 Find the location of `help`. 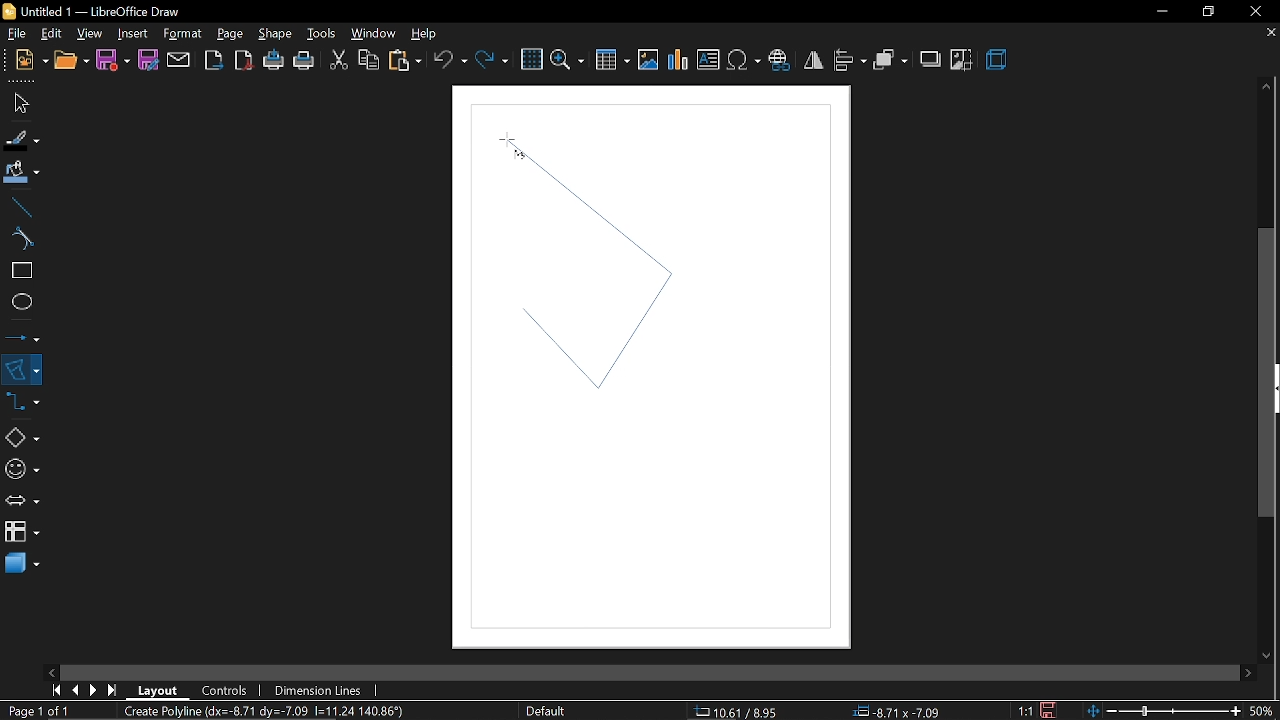

help is located at coordinates (427, 34).